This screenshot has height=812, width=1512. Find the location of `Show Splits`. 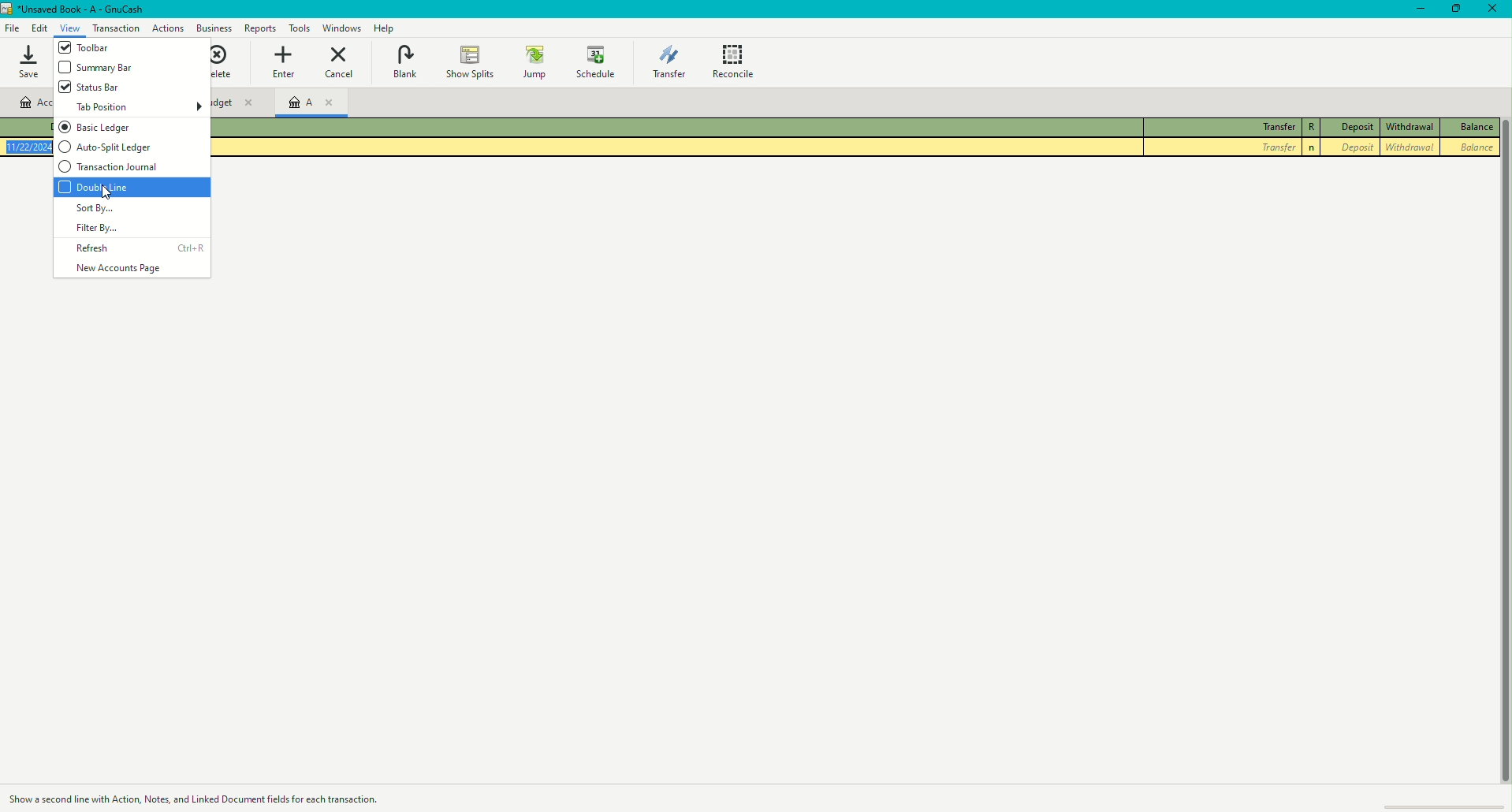

Show Splits is located at coordinates (468, 59).